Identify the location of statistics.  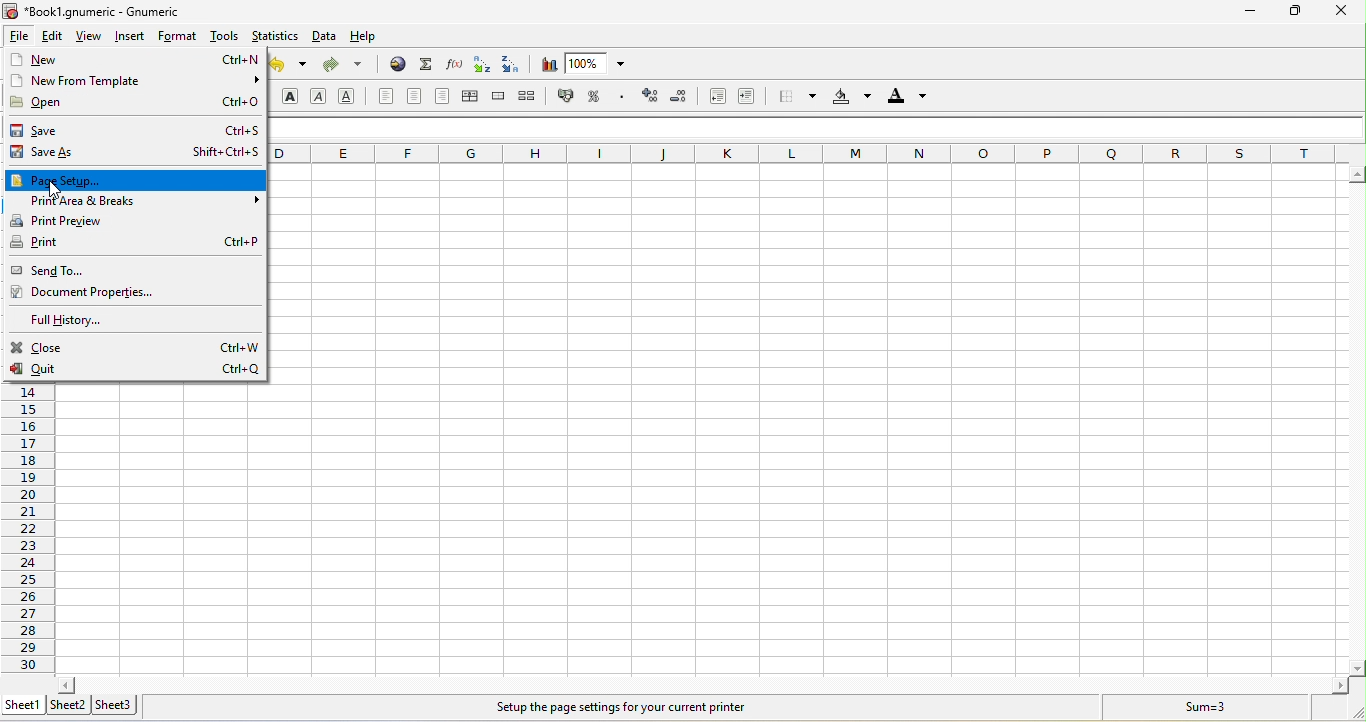
(275, 37).